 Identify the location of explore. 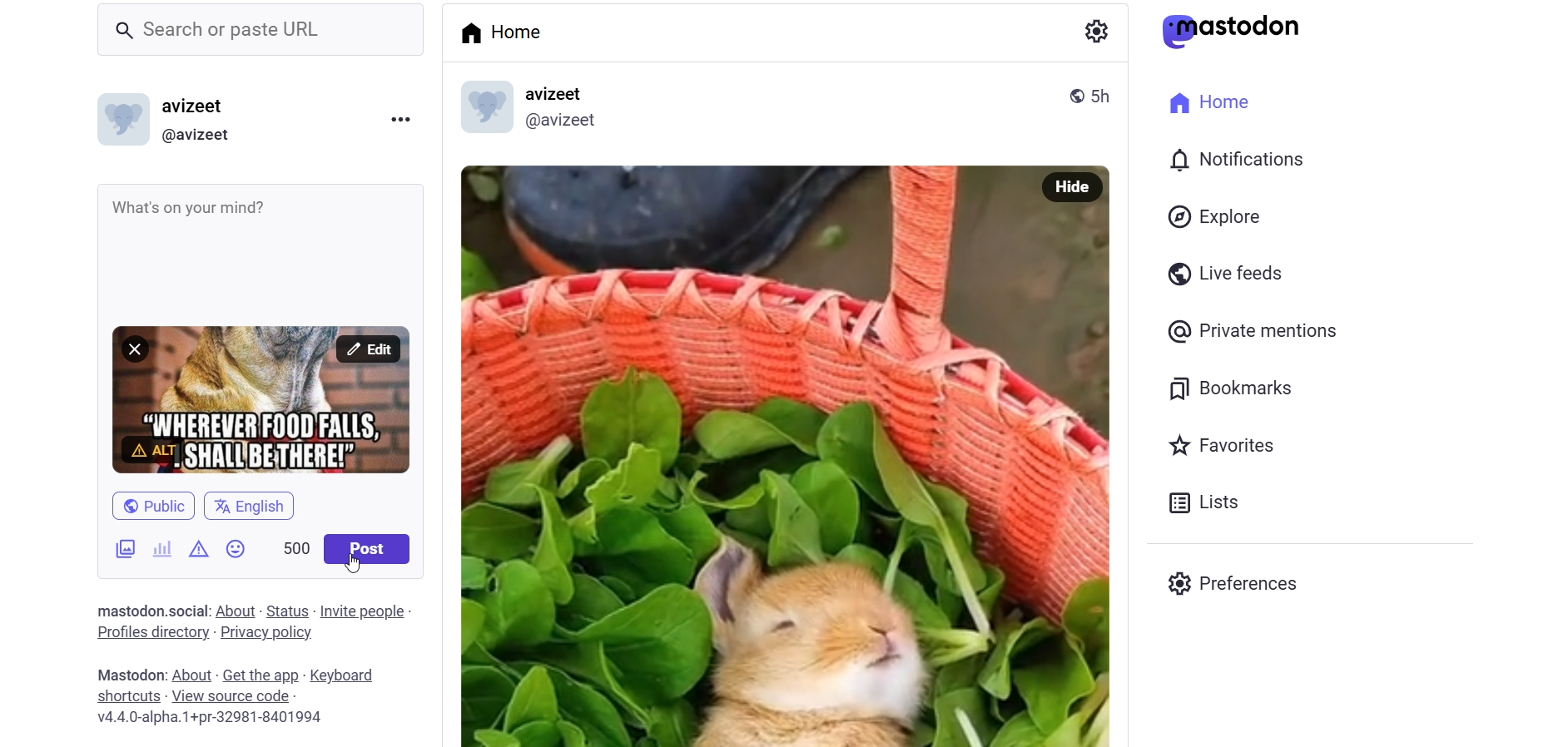
(1216, 216).